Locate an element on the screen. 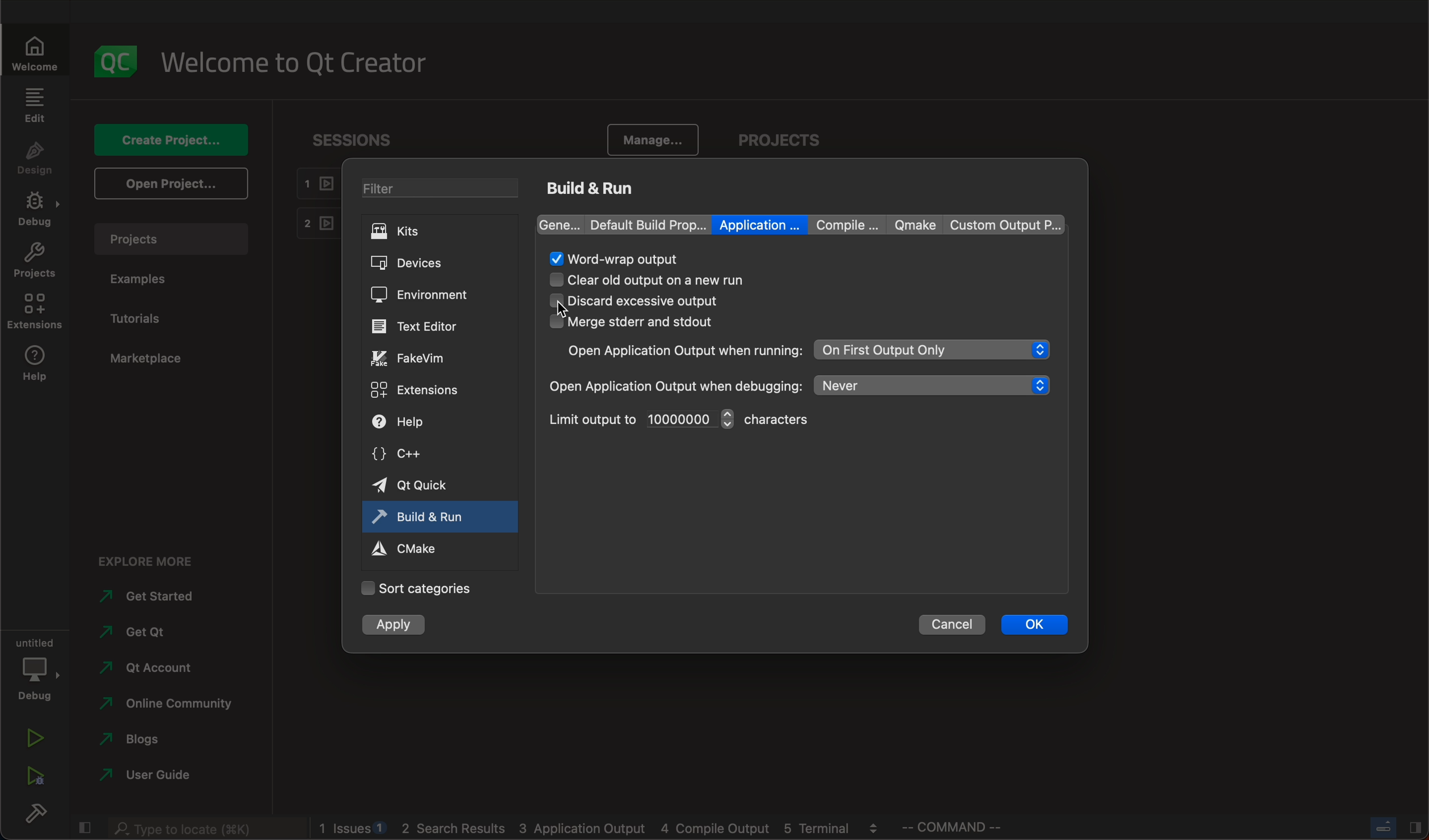 The image size is (1429, 840). cle3ar old output is located at coordinates (673, 280).